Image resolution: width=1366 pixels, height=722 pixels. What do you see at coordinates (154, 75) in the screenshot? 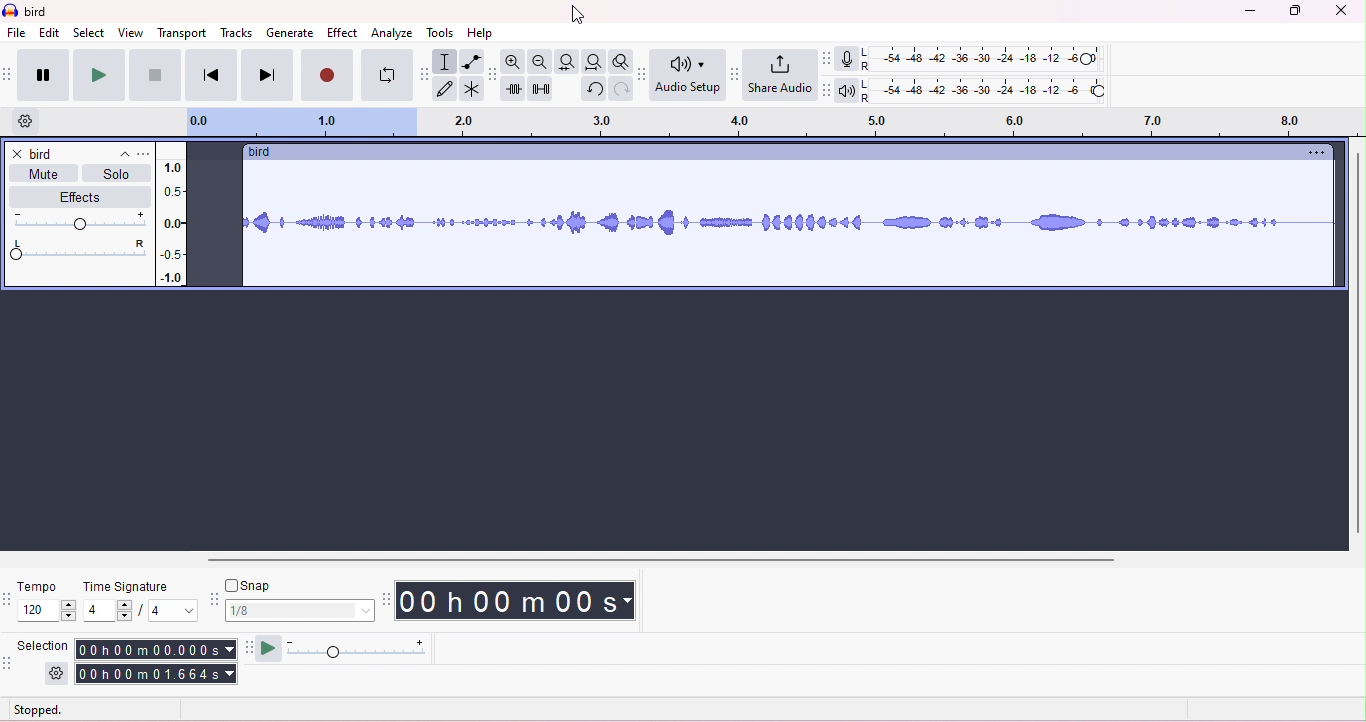
I see `stop` at bounding box center [154, 75].